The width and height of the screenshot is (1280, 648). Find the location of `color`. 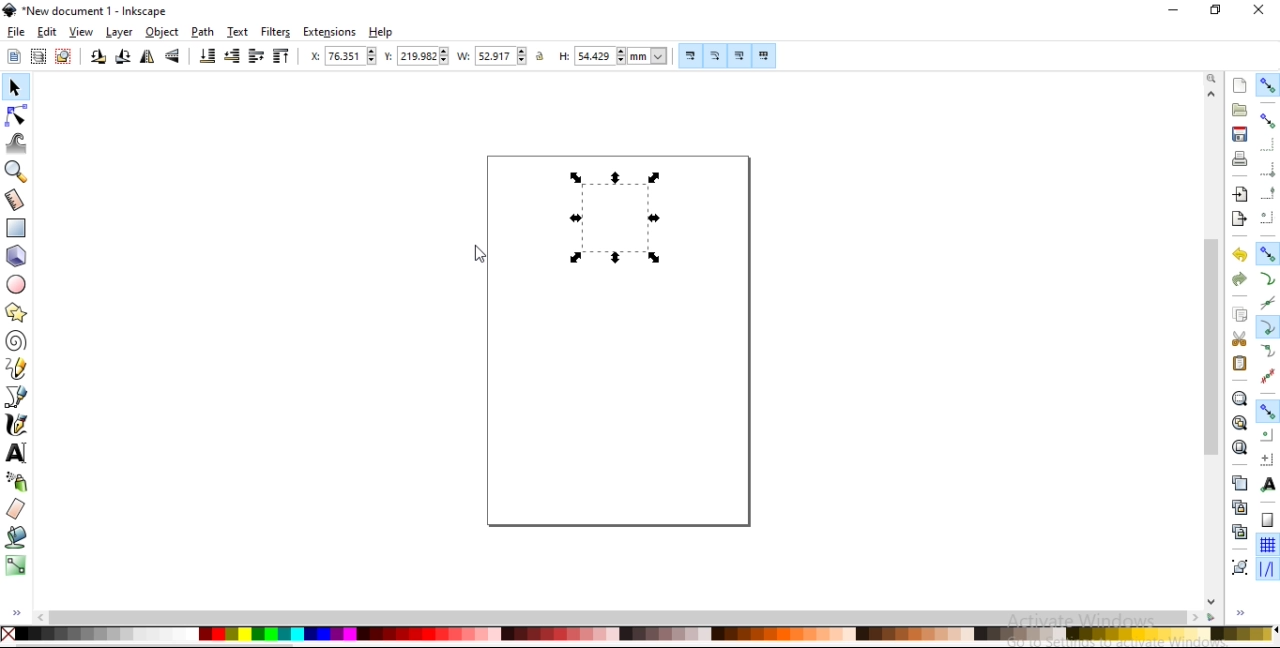

color is located at coordinates (639, 634).